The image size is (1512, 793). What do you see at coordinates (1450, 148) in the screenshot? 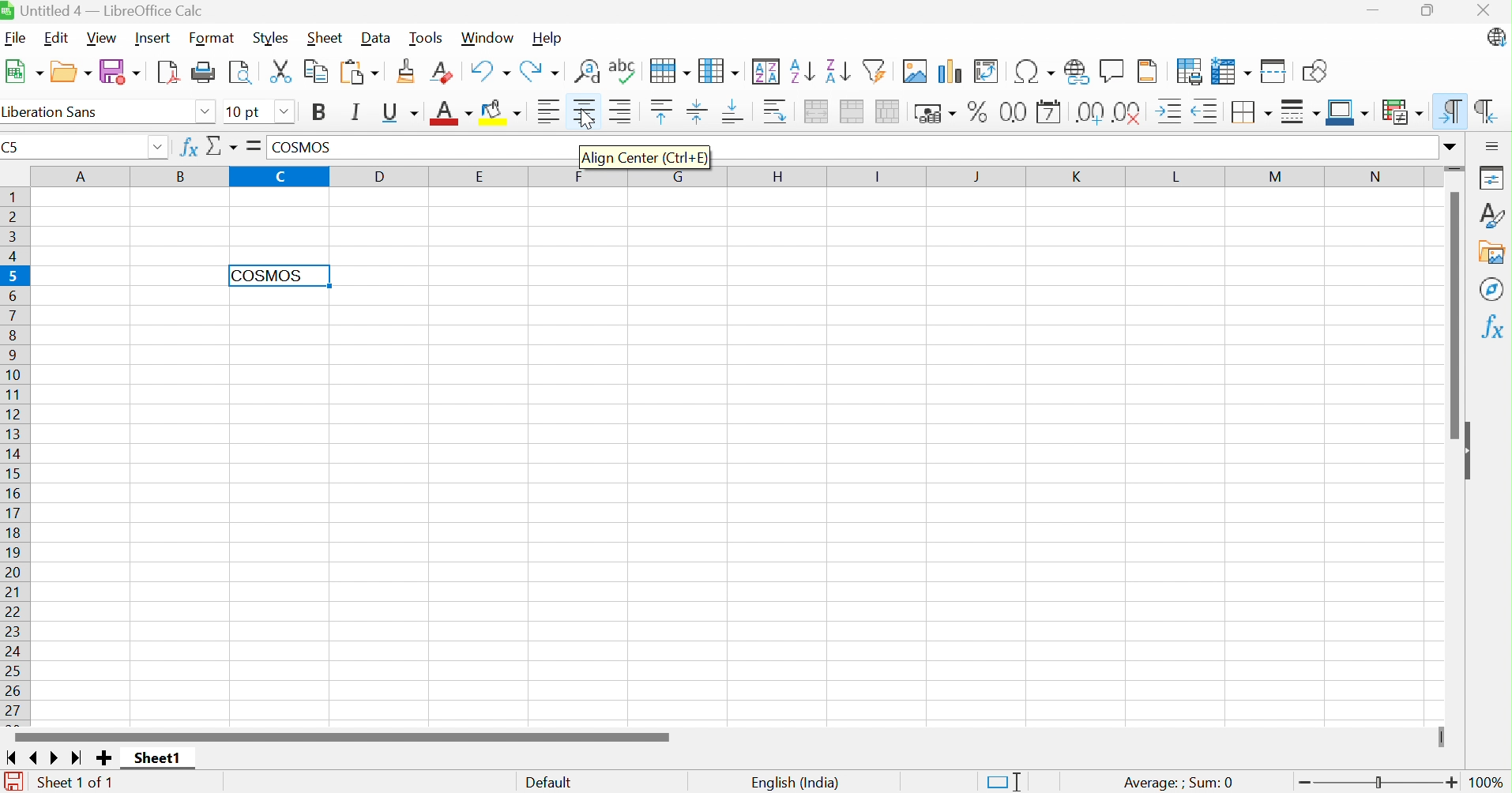
I see `Drop Down` at bounding box center [1450, 148].